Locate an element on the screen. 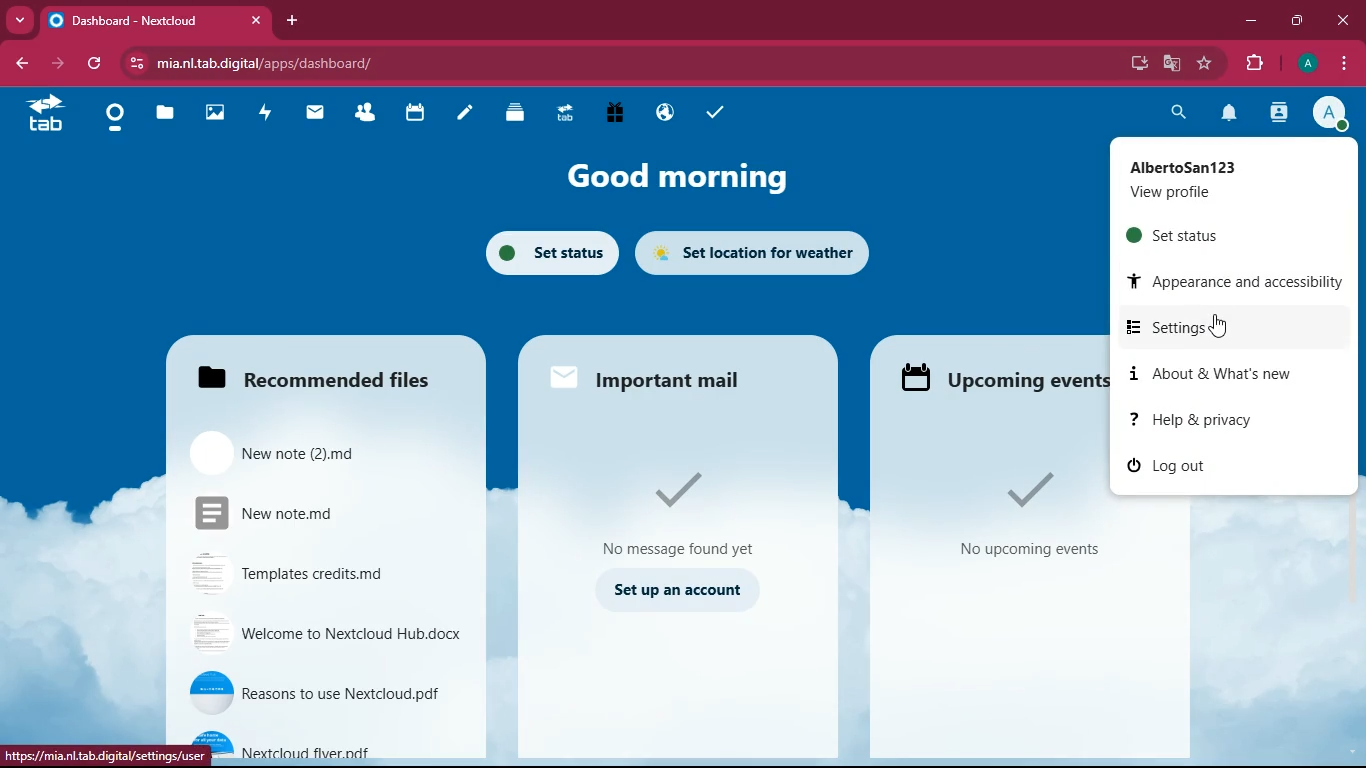 The image size is (1366, 768). Tick  is located at coordinates (680, 489).